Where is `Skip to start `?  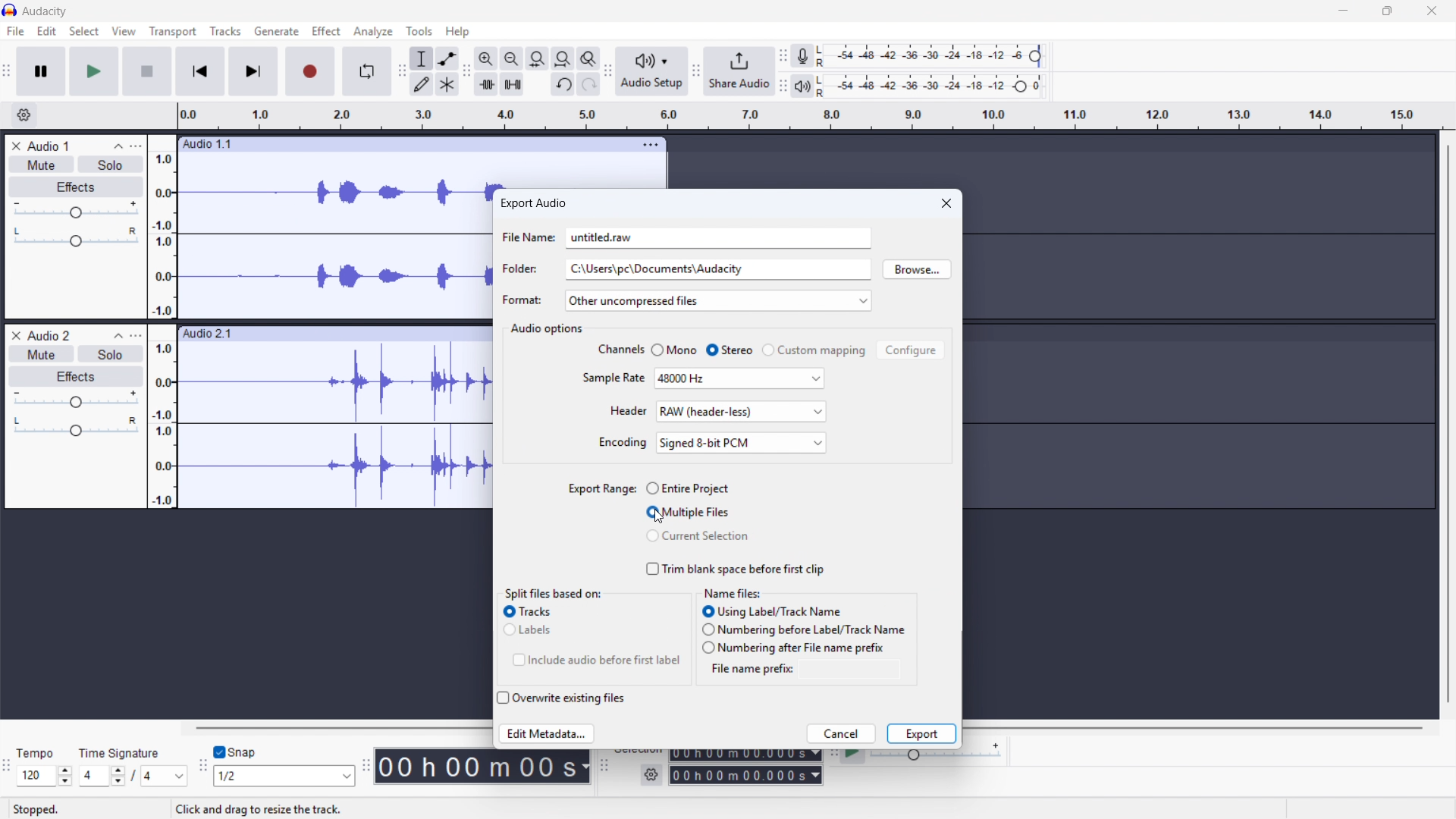
Skip to start  is located at coordinates (199, 72).